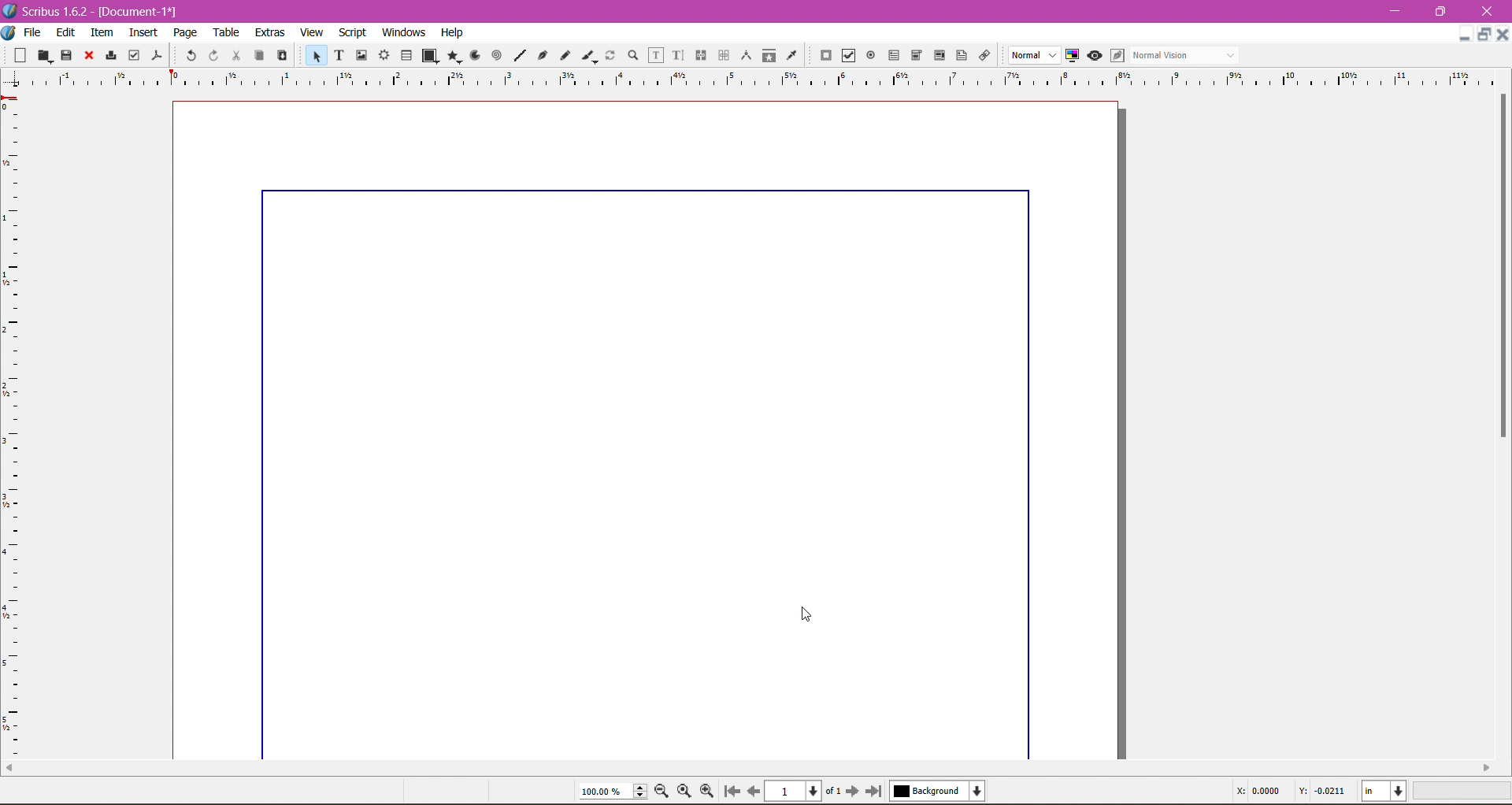 This screenshot has width=1512, height=805. I want to click on Go to first page, so click(730, 792).